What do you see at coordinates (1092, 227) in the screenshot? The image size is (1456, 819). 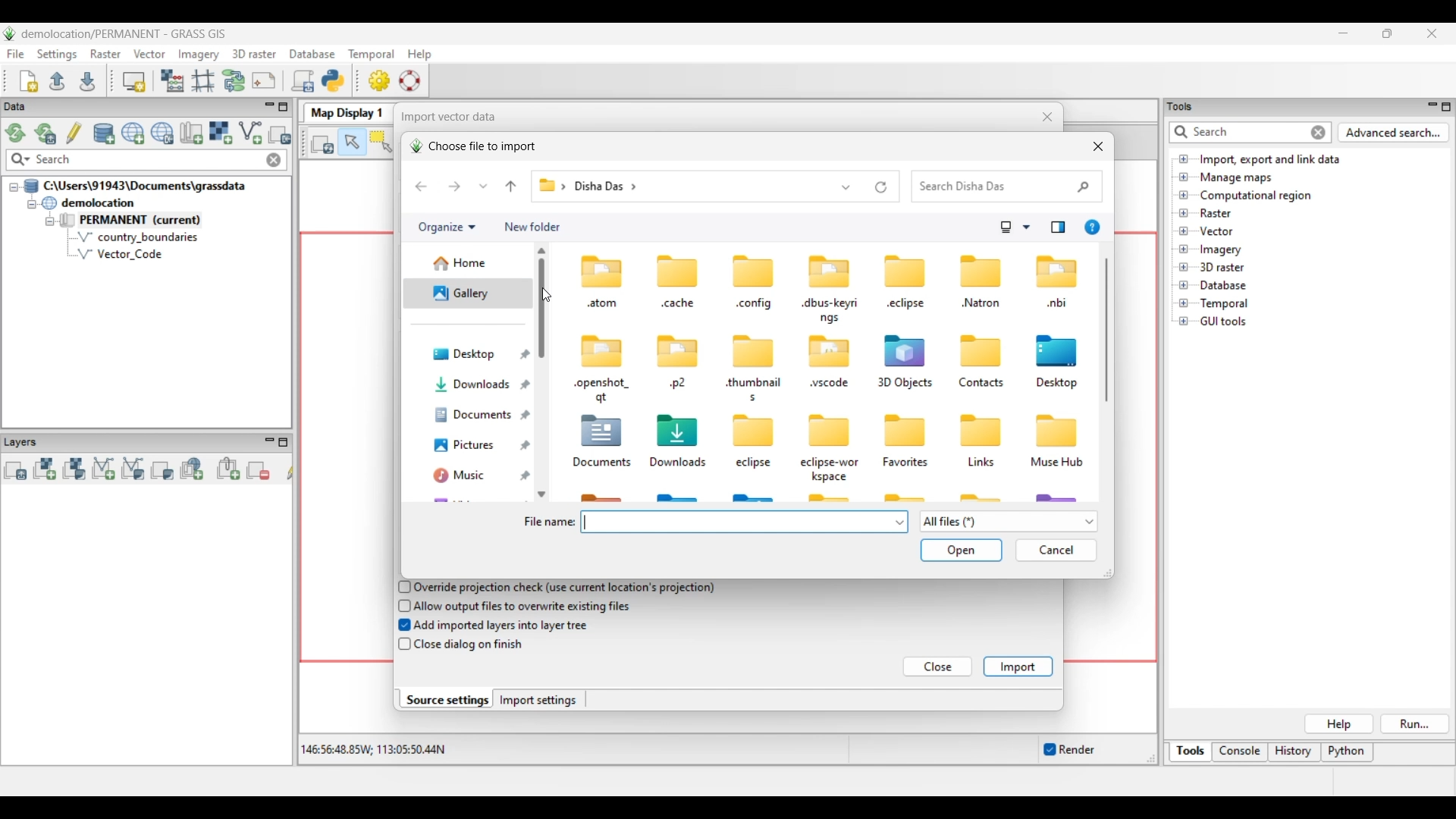 I see `Get help` at bounding box center [1092, 227].